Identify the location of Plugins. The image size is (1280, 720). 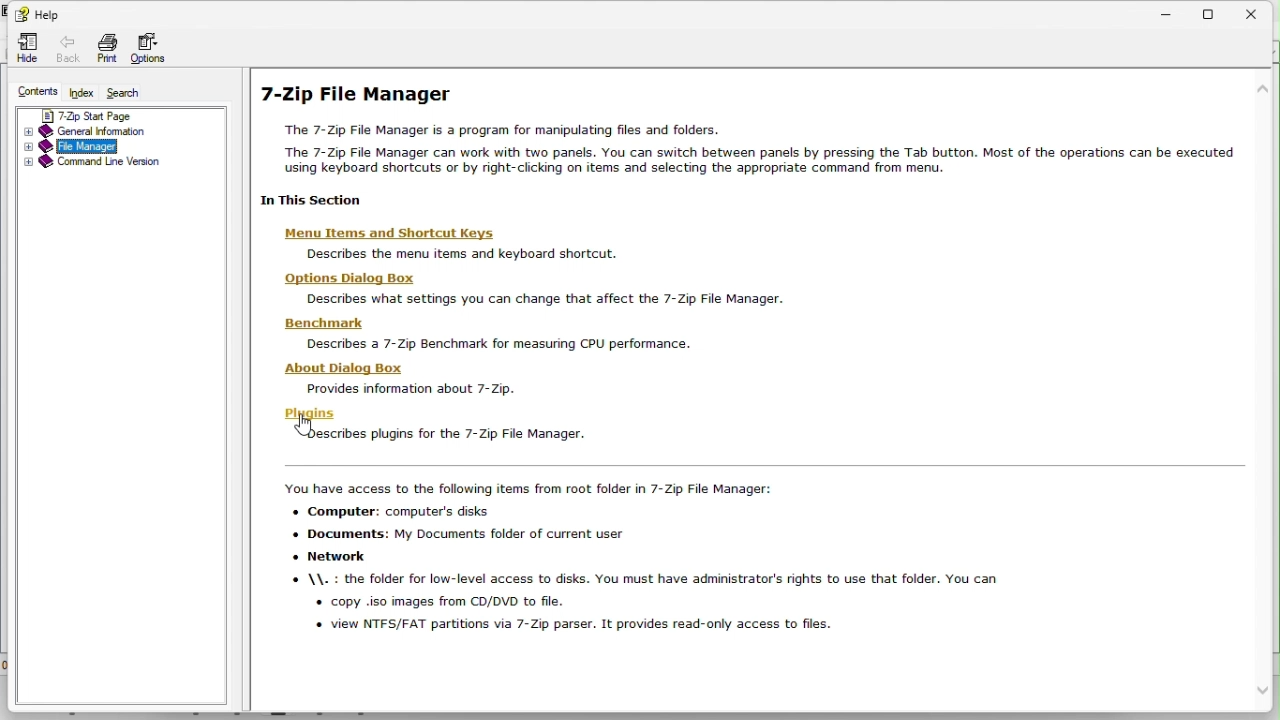
(312, 413).